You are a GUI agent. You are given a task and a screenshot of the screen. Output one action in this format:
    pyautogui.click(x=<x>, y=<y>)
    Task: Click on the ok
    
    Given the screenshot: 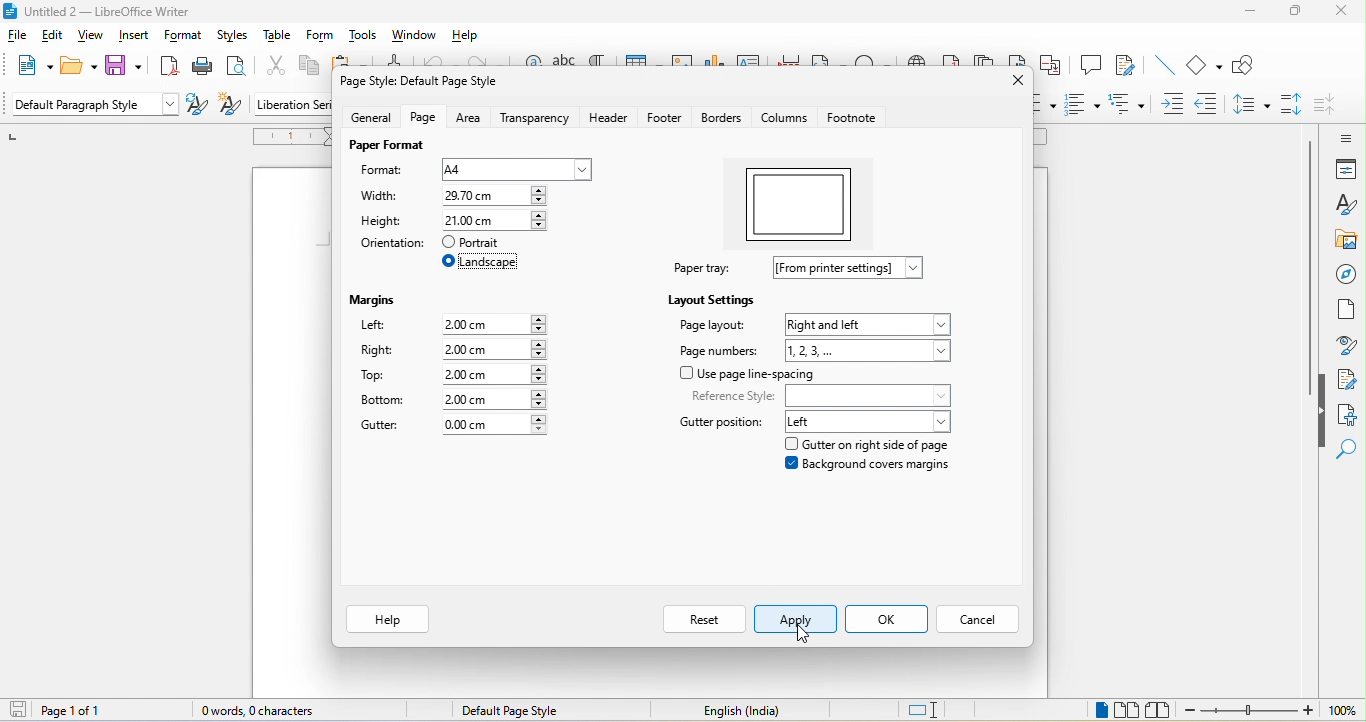 What is the action you would take?
    pyautogui.click(x=887, y=619)
    